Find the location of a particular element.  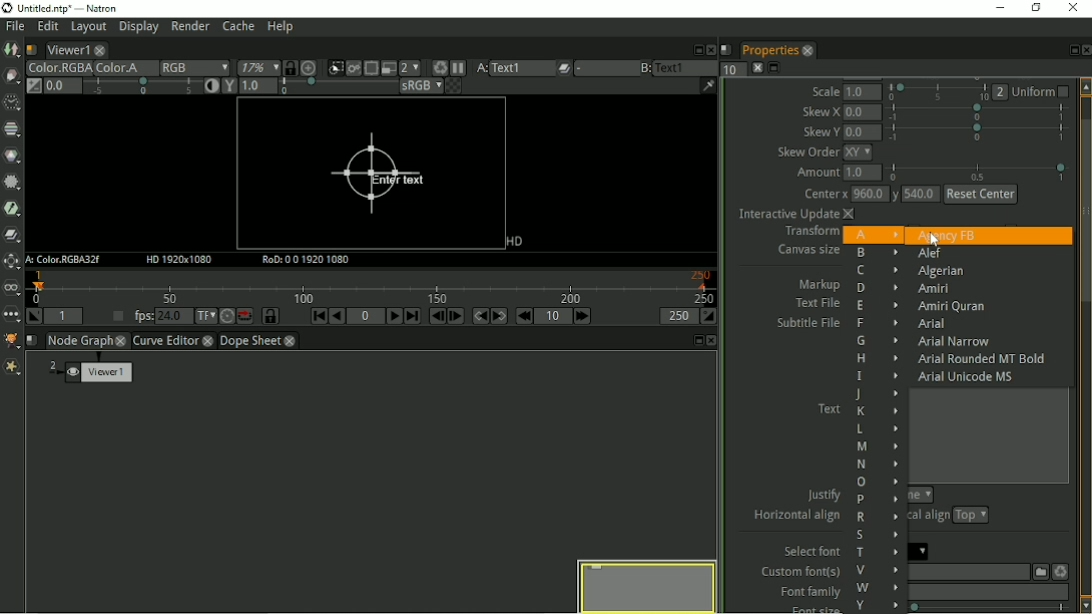

Interactive Update is located at coordinates (794, 215).